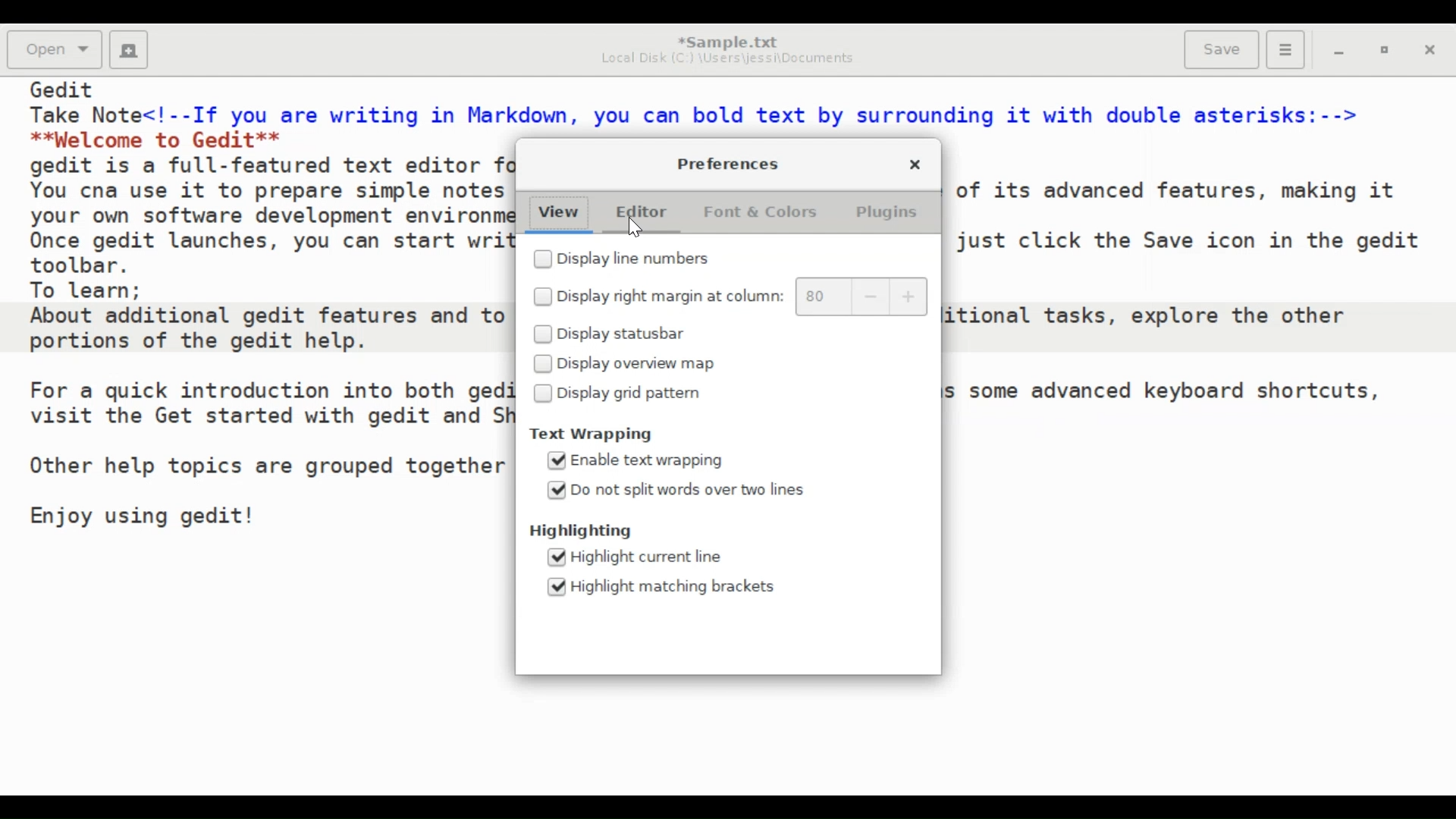 This screenshot has height=819, width=1456. What do you see at coordinates (910, 297) in the screenshot?
I see `increase ` at bounding box center [910, 297].